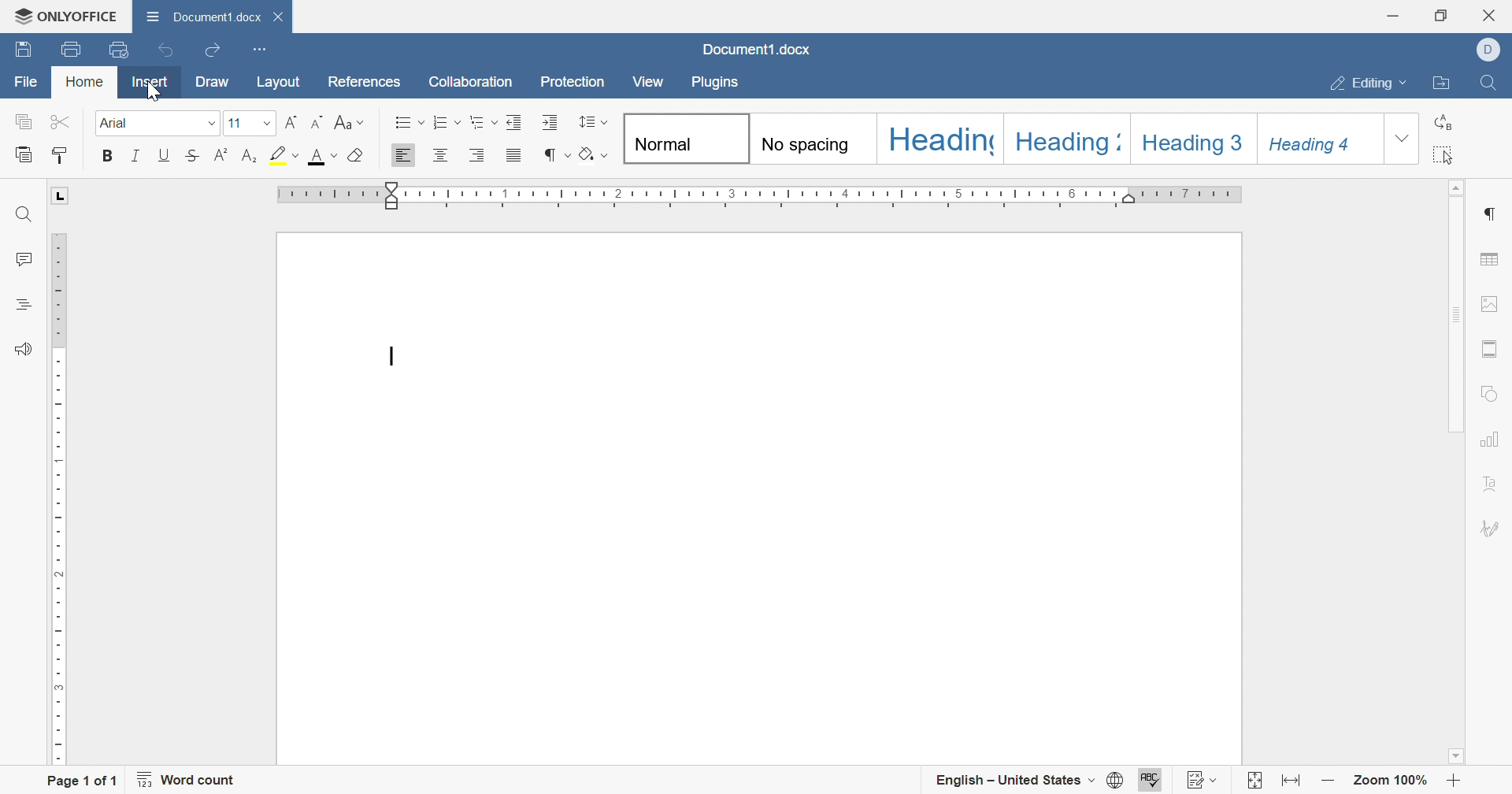 Image resolution: width=1512 pixels, height=794 pixels. Describe the element at coordinates (18, 349) in the screenshot. I see `Feedback & Support` at that location.